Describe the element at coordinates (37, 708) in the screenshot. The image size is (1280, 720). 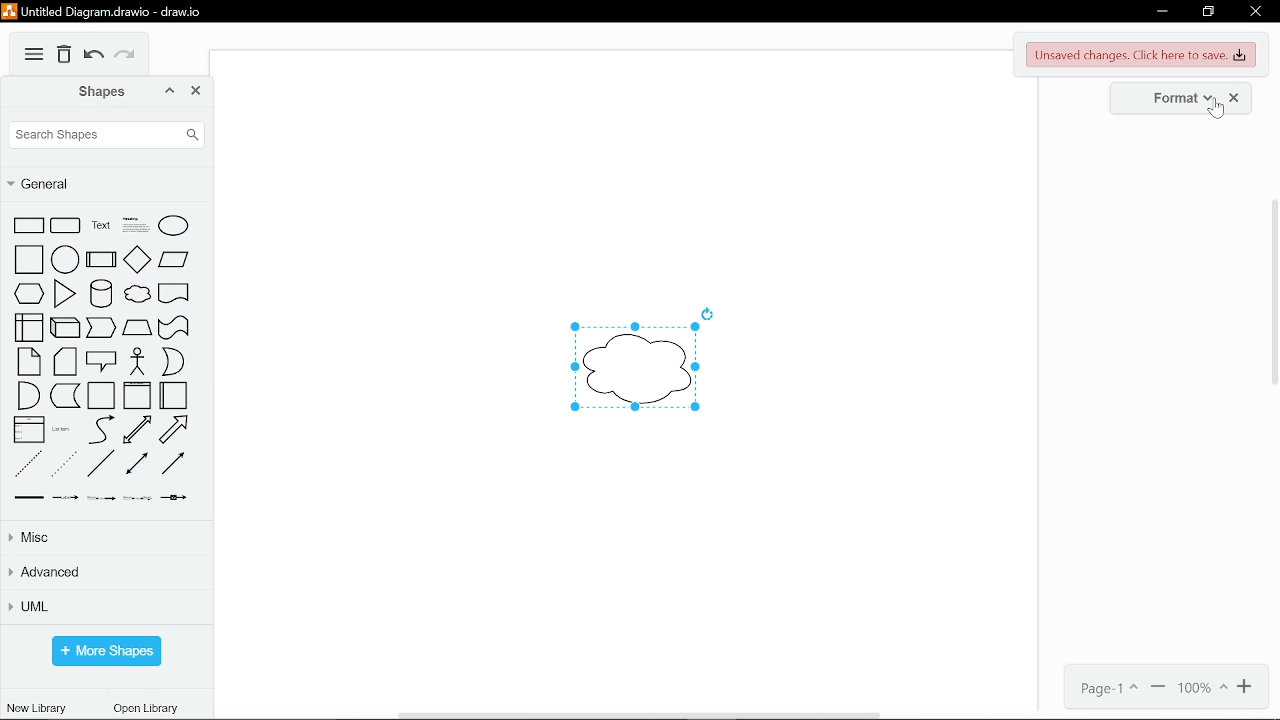
I see `new library` at that location.